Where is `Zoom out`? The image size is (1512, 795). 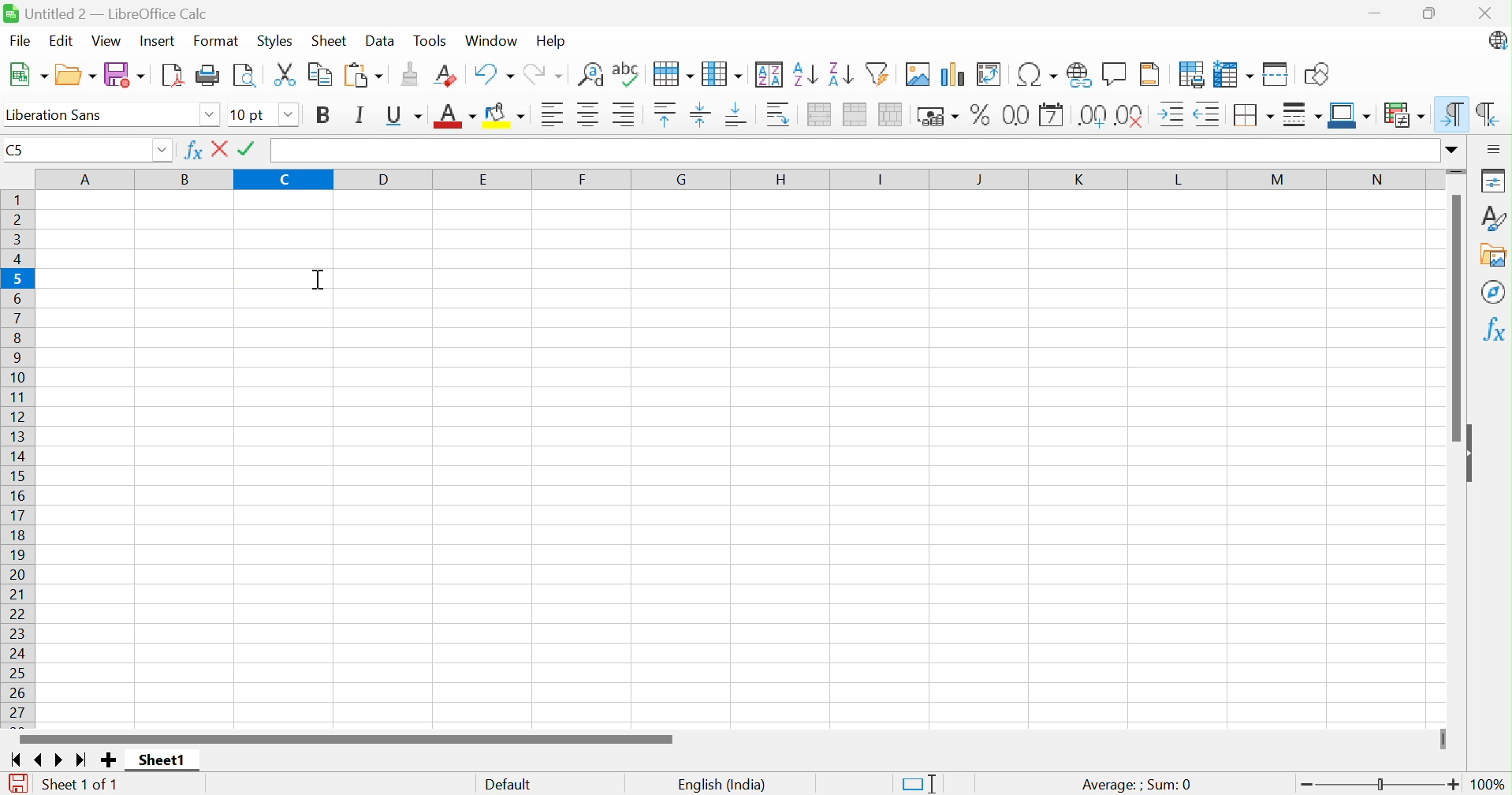 Zoom out is located at coordinates (1306, 786).